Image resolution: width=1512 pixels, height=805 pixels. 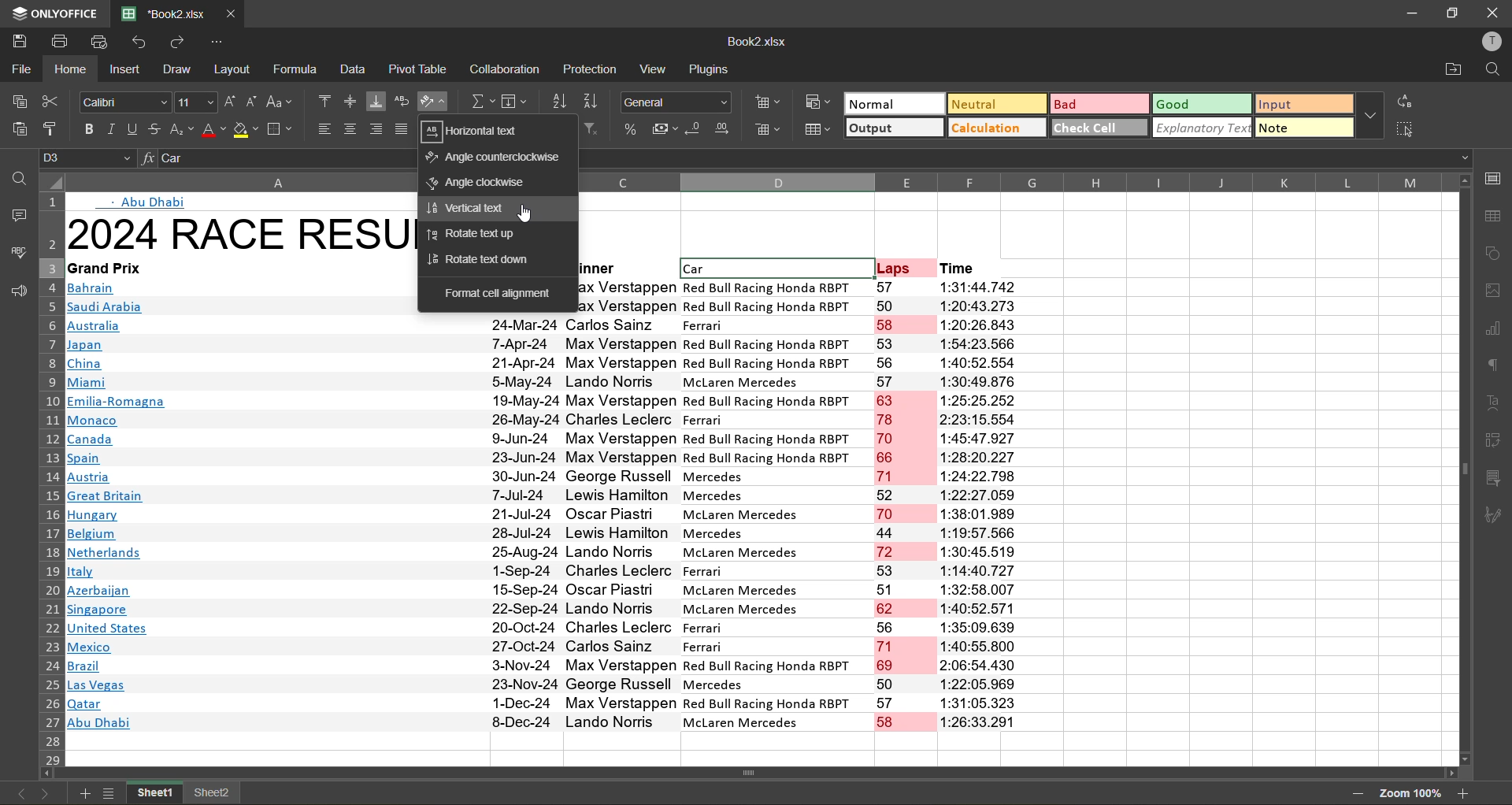 What do you see at coordinates (1307, 127) in the screenshot?
I see `note` at bounding box center [1307, 127].